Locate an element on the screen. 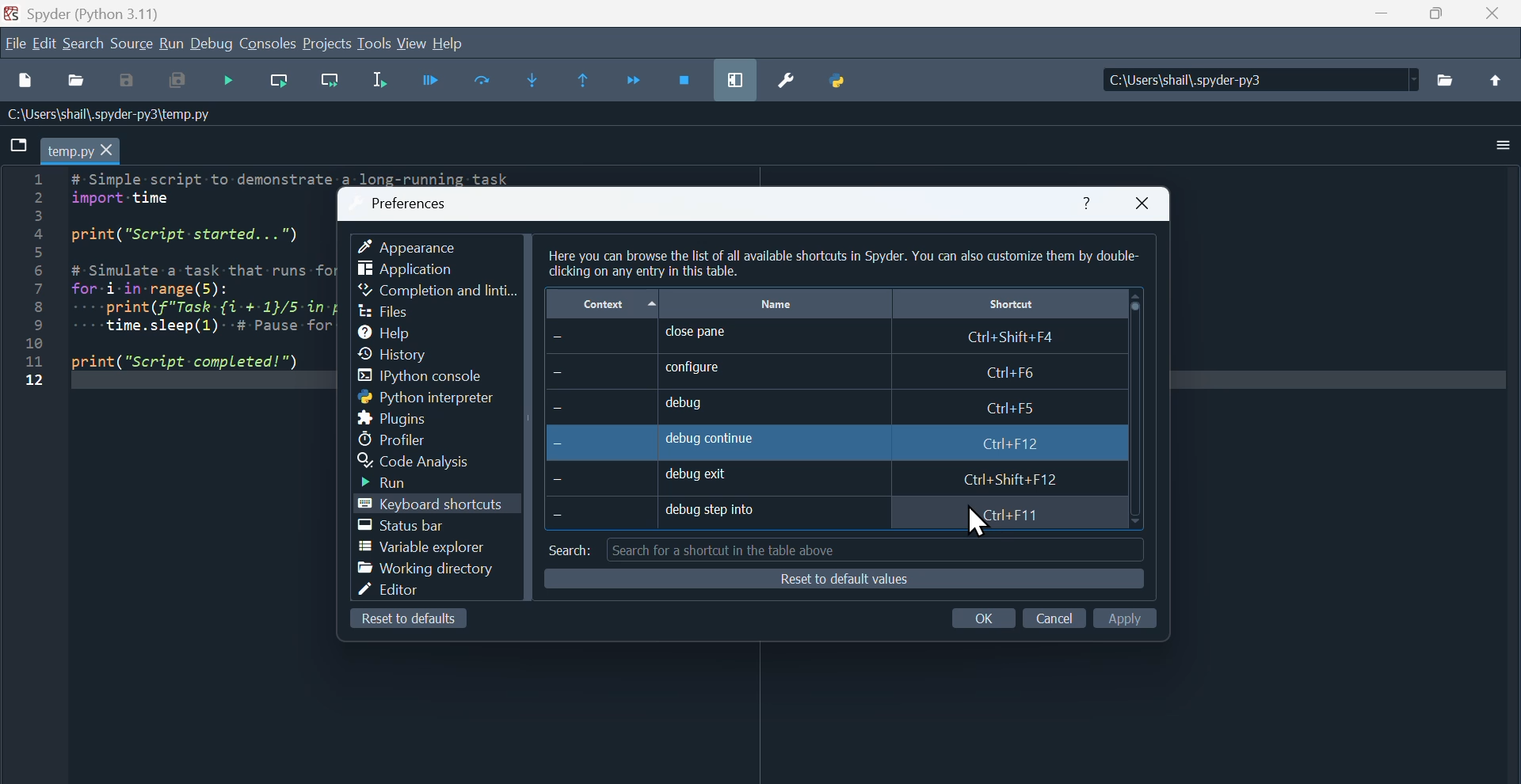 This screenshot has height=784, width=1521. Maximise is located at coordinates (1436, 16).